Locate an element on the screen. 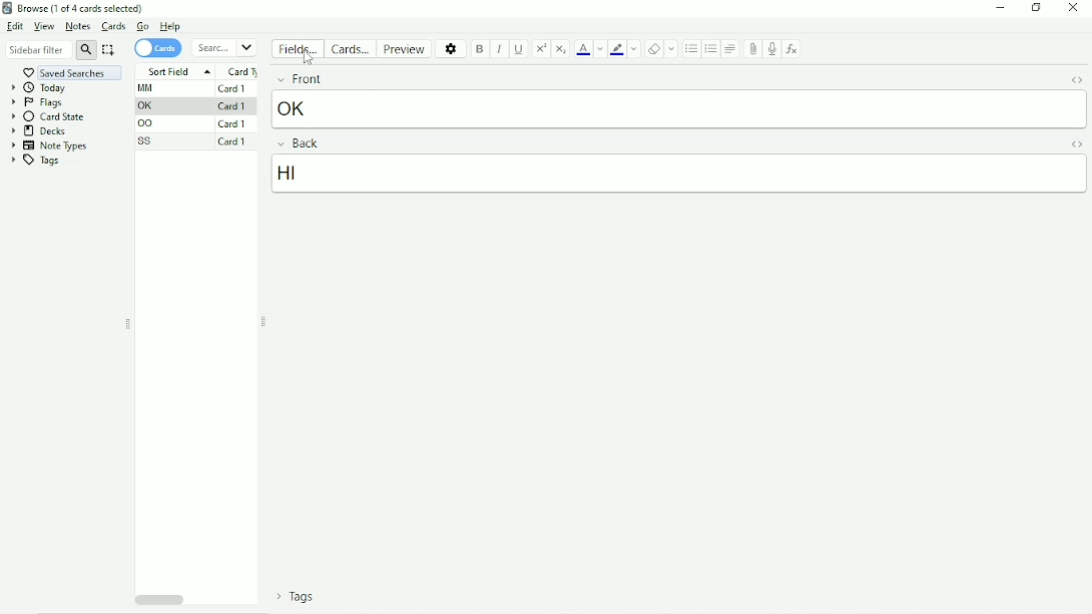 Image resolution: width=1092 pixels, height=614 pixels. hi is located at coordinates (318, 174).